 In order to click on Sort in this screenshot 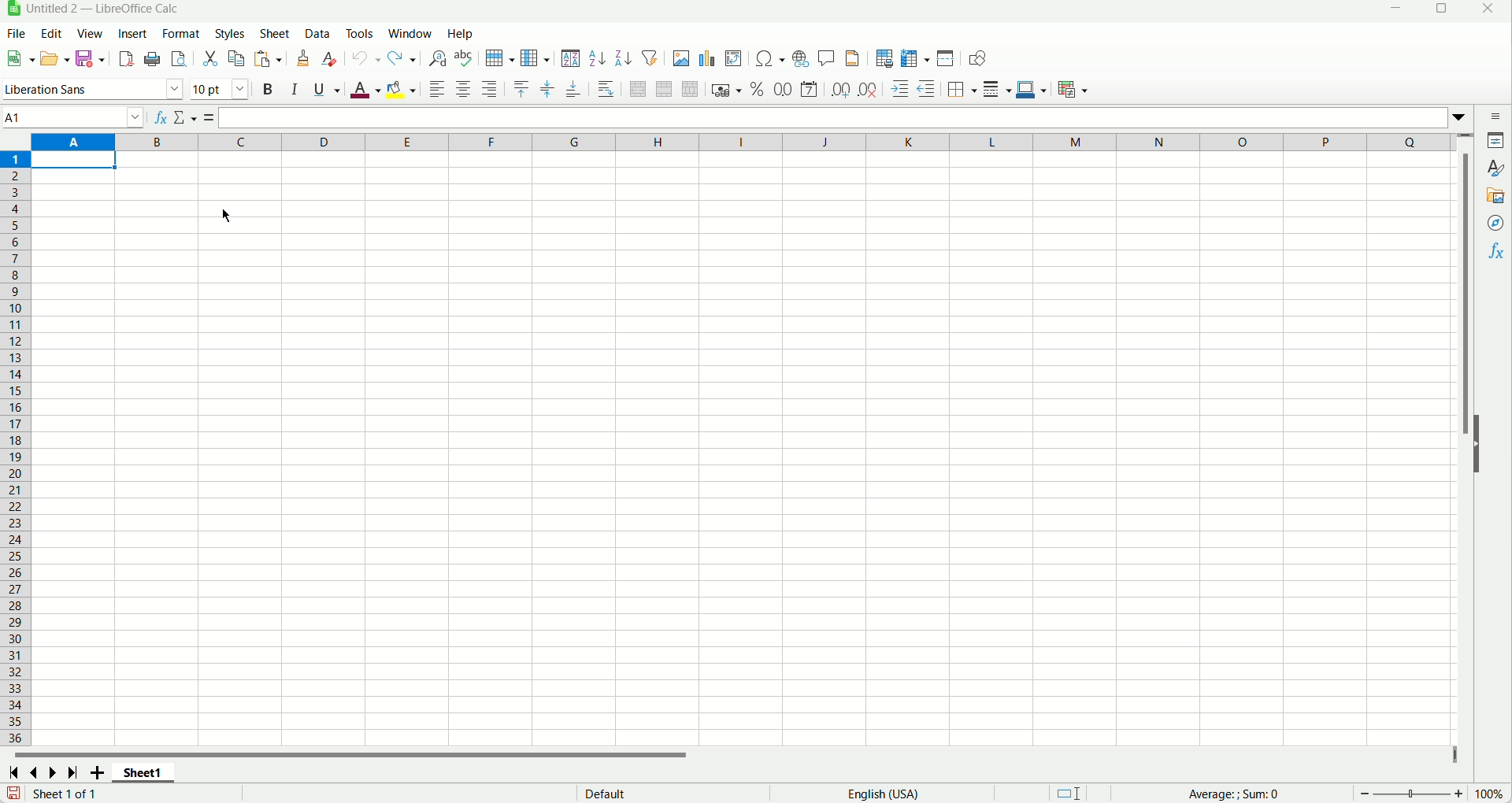, I will do `click(571, 58)`.